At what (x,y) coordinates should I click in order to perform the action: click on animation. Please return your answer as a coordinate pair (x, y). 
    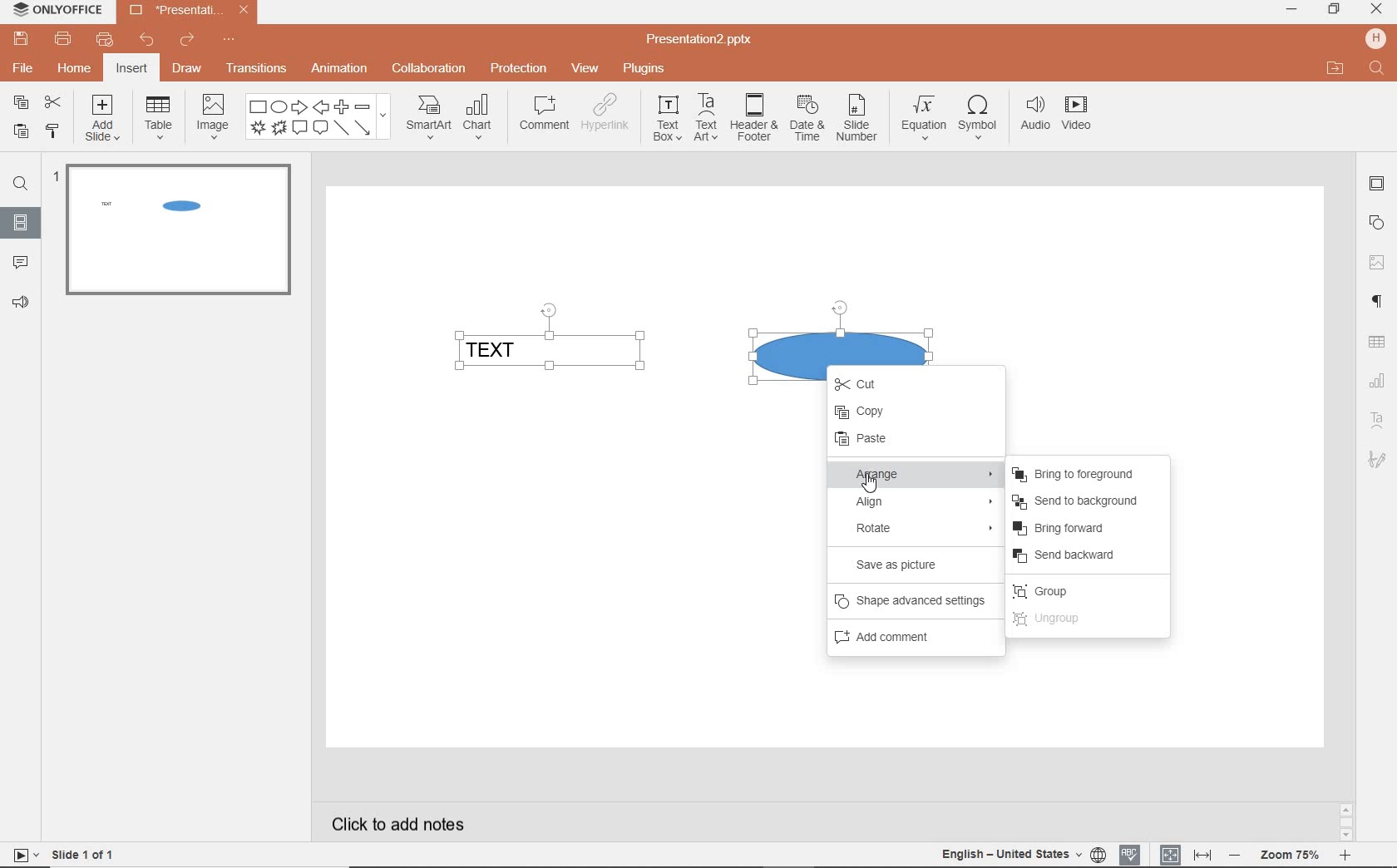
    Looking at the image, I should click on (338, 70).